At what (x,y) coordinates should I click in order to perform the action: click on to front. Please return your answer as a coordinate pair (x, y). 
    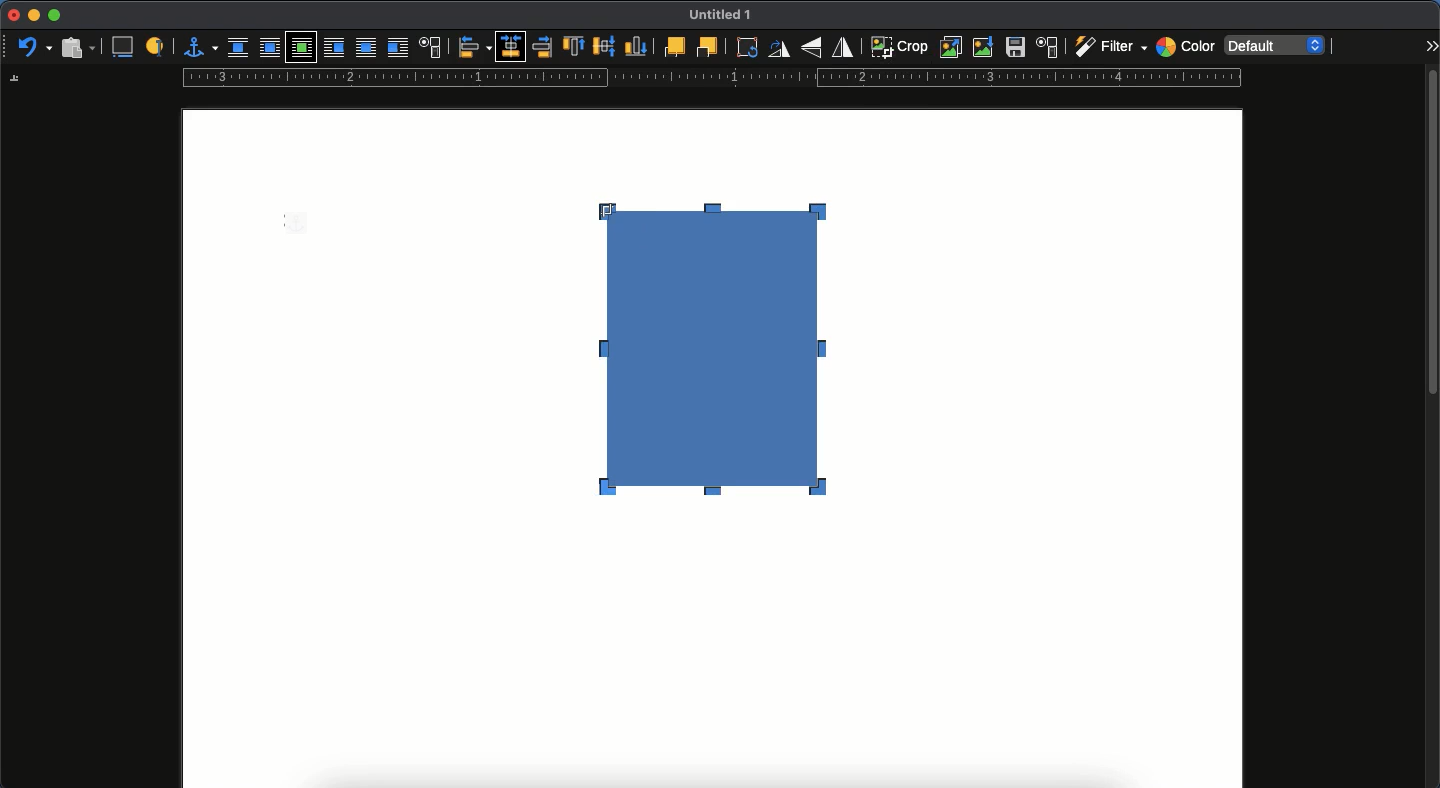
    Looking at the image, I should click on (673, 47).